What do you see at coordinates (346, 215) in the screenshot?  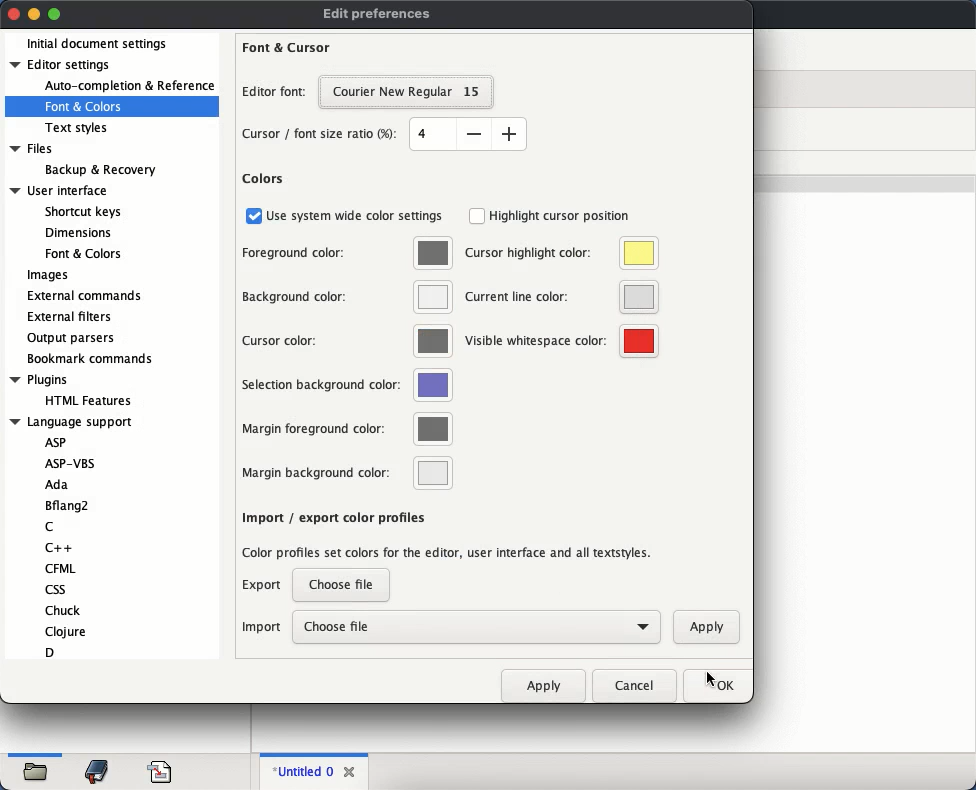 I see `use system wide color settings` at bounding box center [346, 215].